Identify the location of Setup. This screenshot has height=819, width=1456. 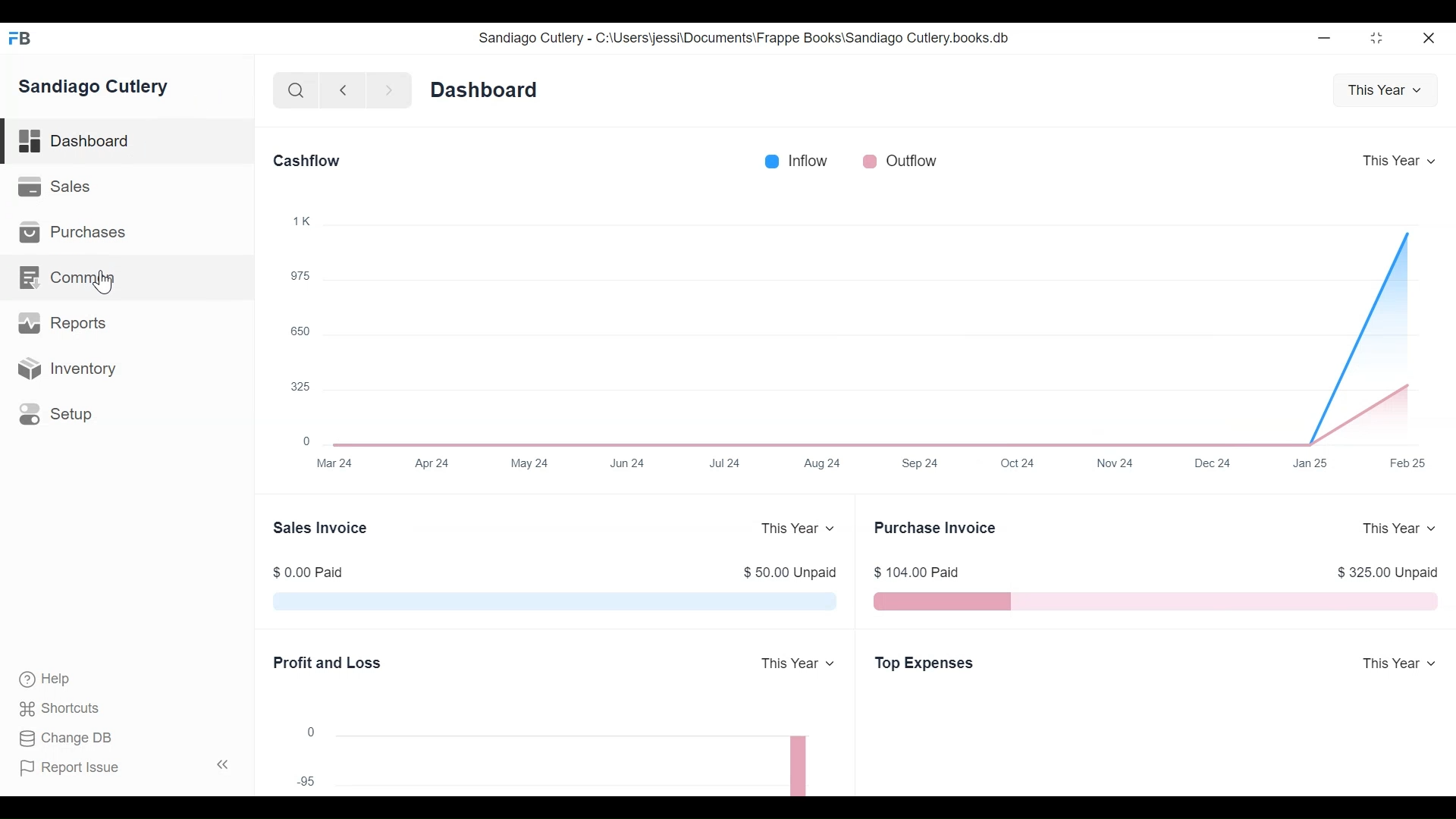
(58, 413).